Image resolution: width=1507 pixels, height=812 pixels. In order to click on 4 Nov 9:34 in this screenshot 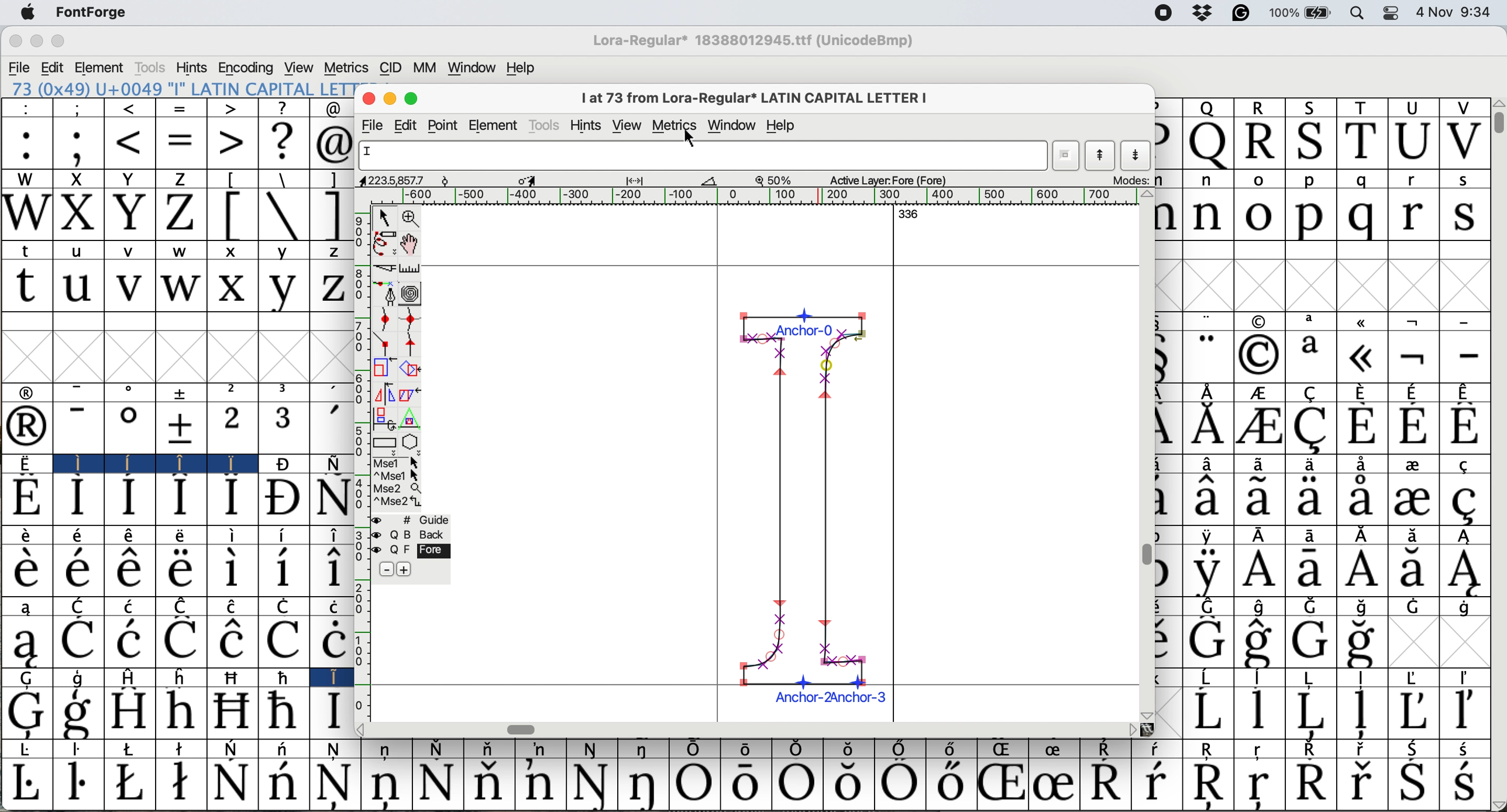, I will do `click(1456, 12)`.